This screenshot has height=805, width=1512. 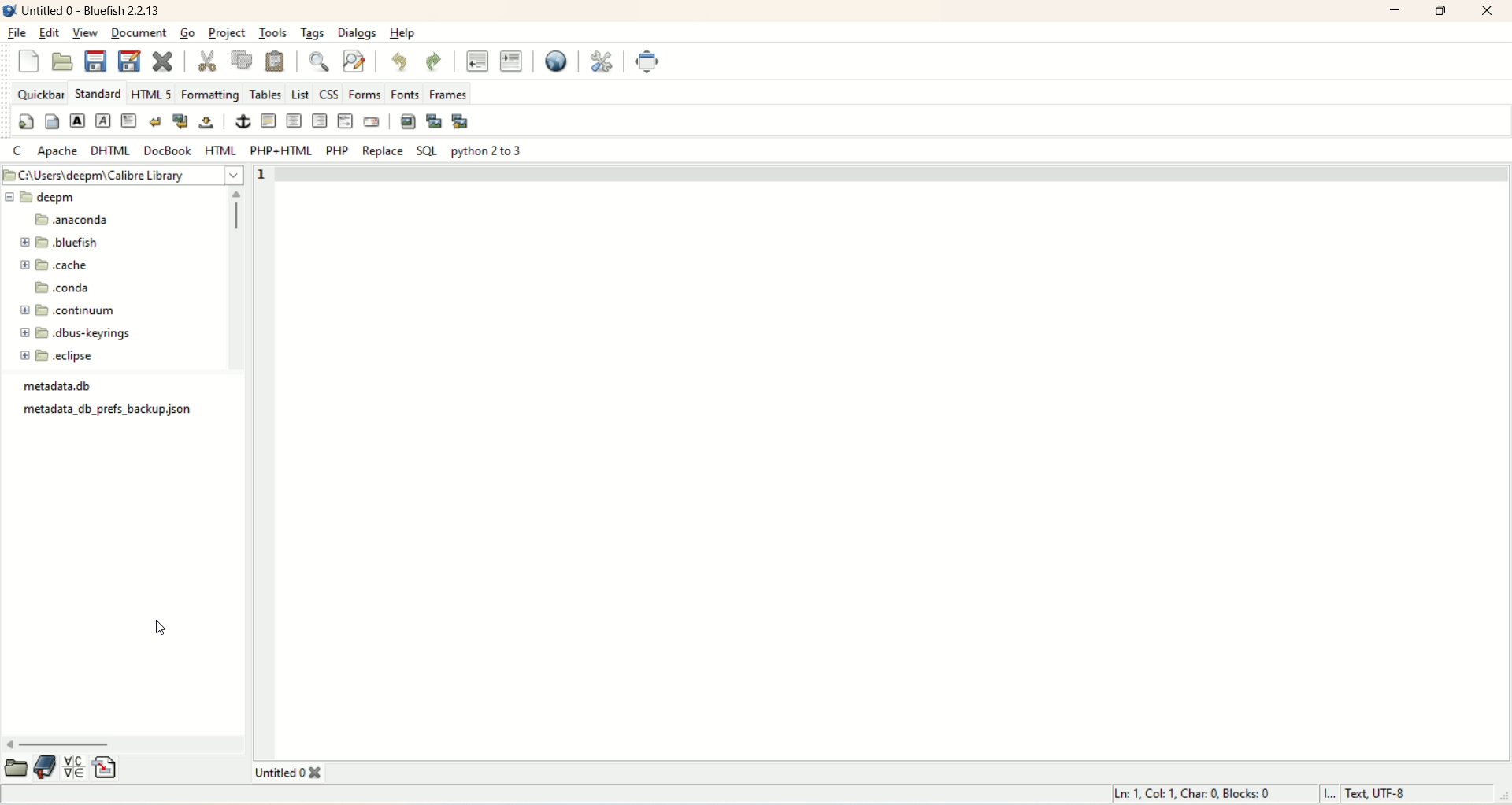 What do you see at coordinates (161, 629) in the screenshot?
I see `cursor` at bounding box center [161, 629].